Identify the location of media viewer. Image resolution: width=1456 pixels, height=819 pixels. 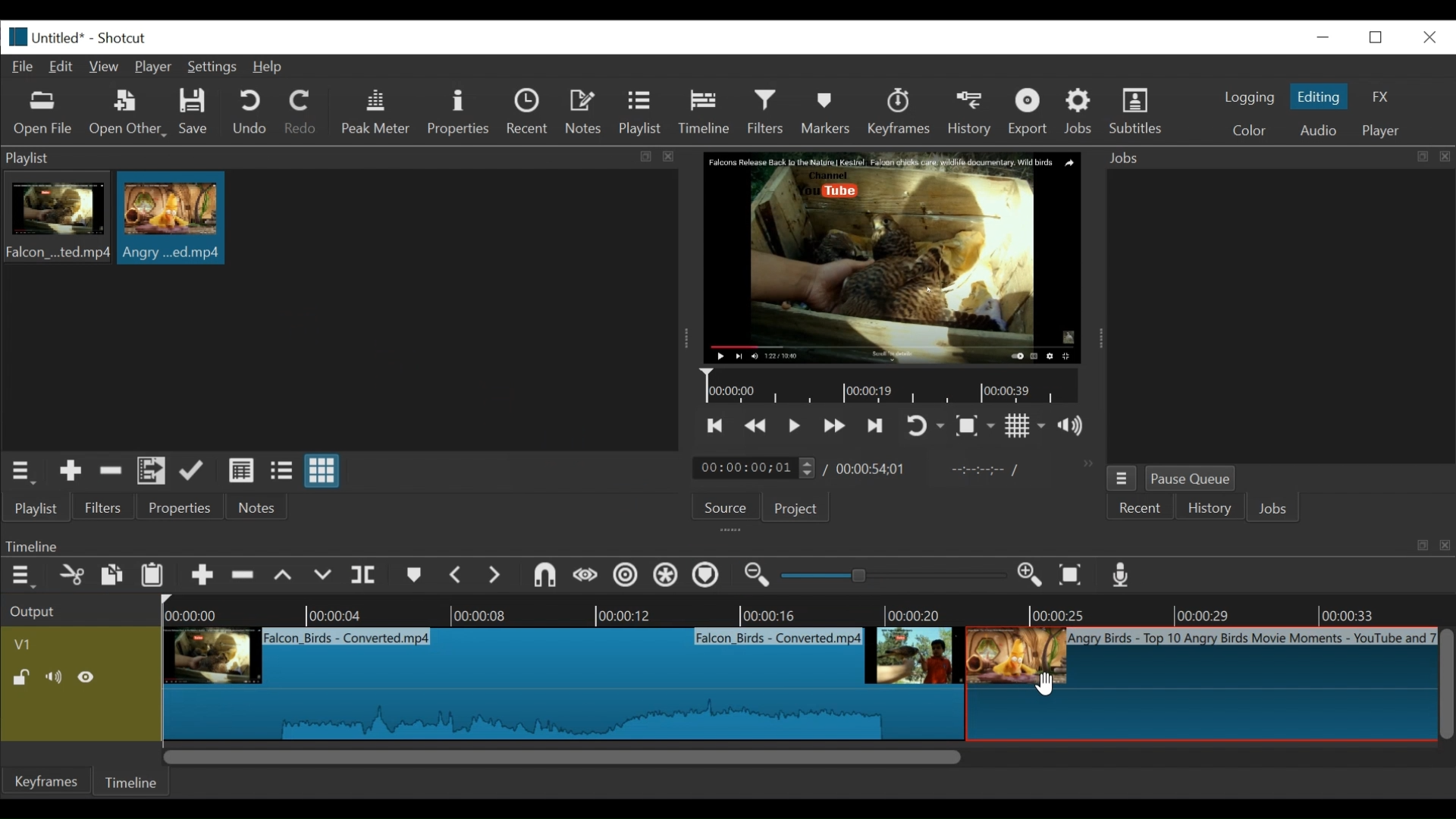
(890, 257).